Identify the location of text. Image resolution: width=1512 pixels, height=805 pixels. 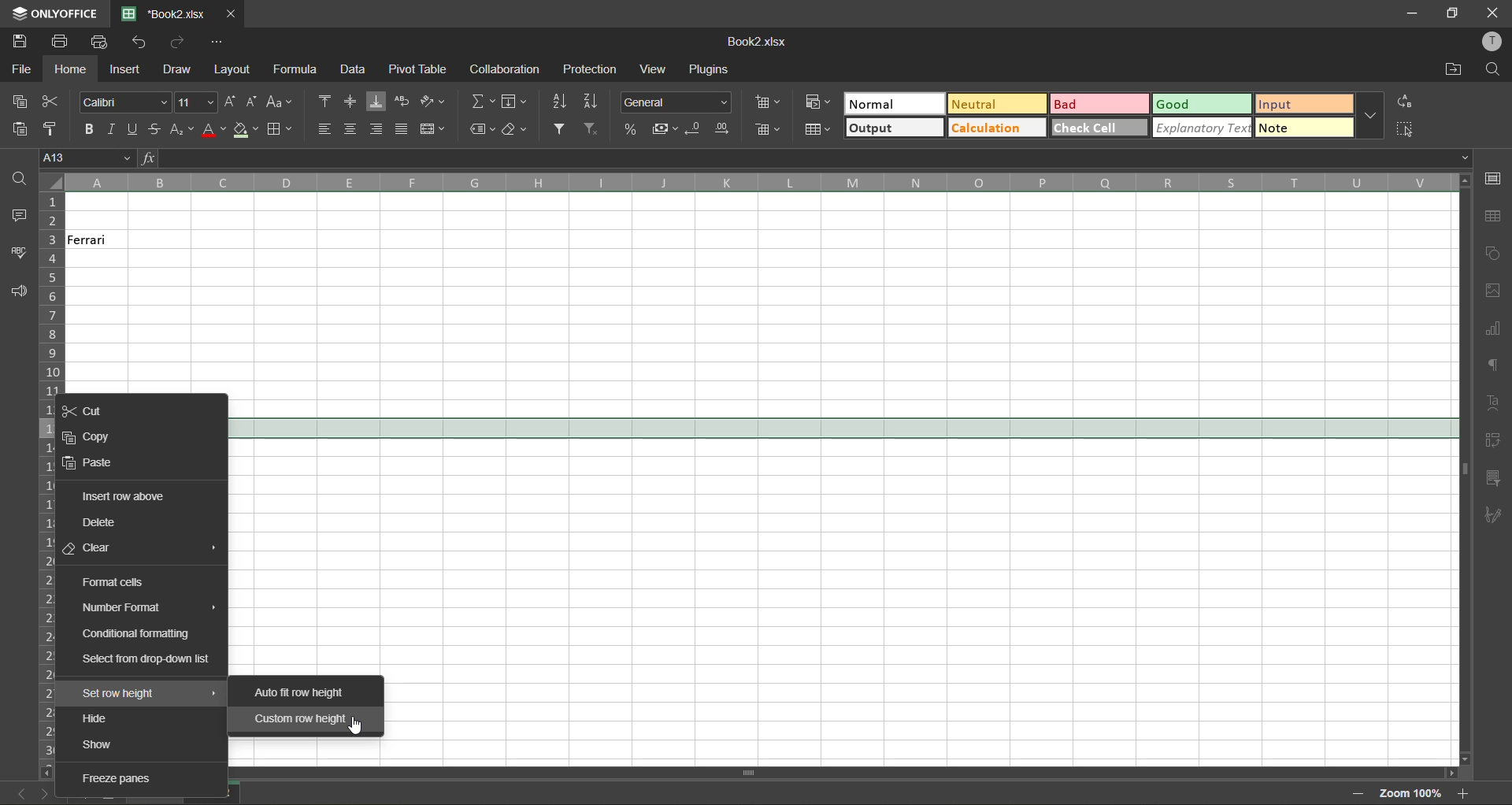
(1494, 403).